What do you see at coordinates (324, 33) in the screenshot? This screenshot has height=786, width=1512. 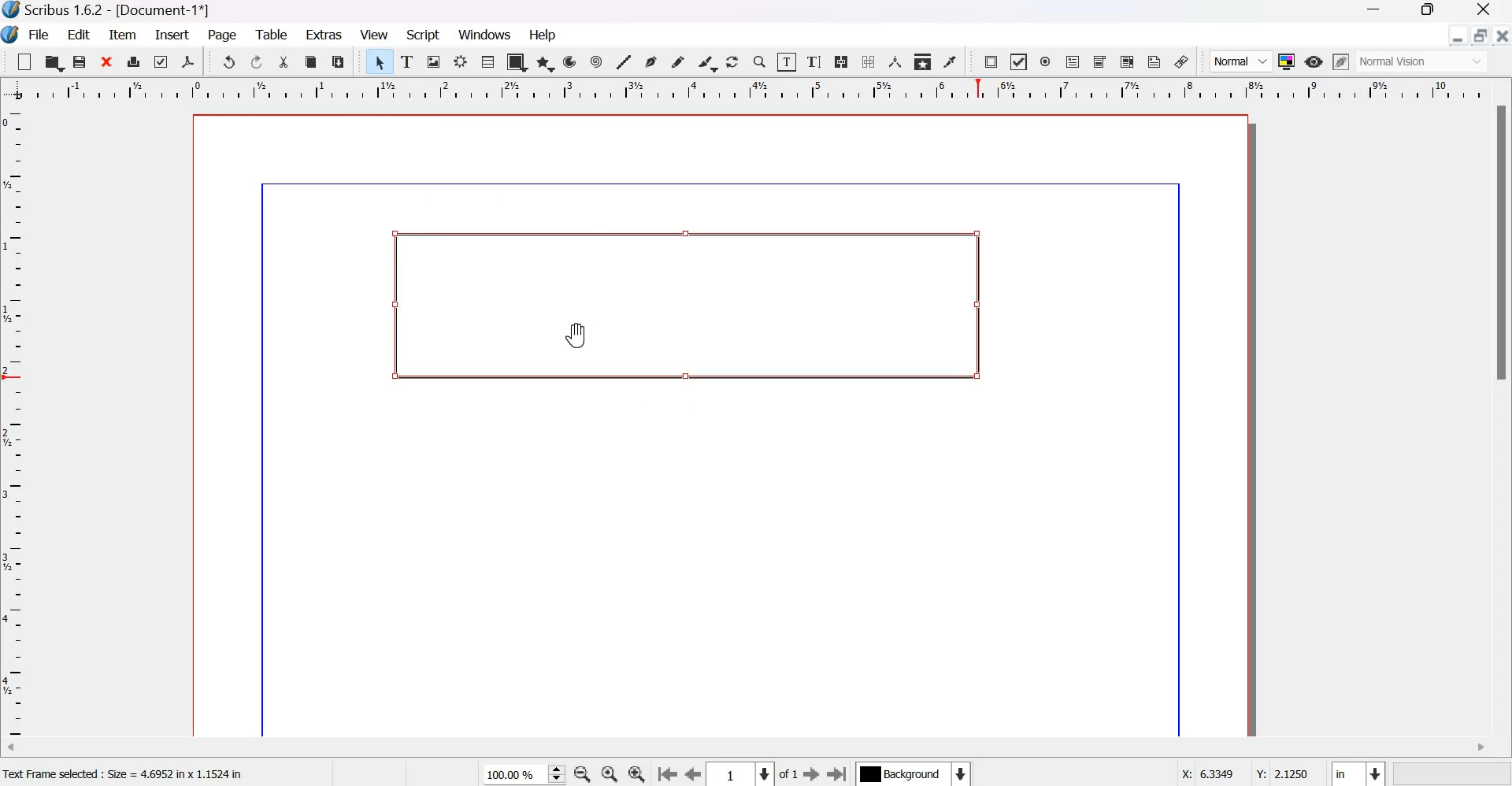 I see `Extras` at bounding box center [324, 33].